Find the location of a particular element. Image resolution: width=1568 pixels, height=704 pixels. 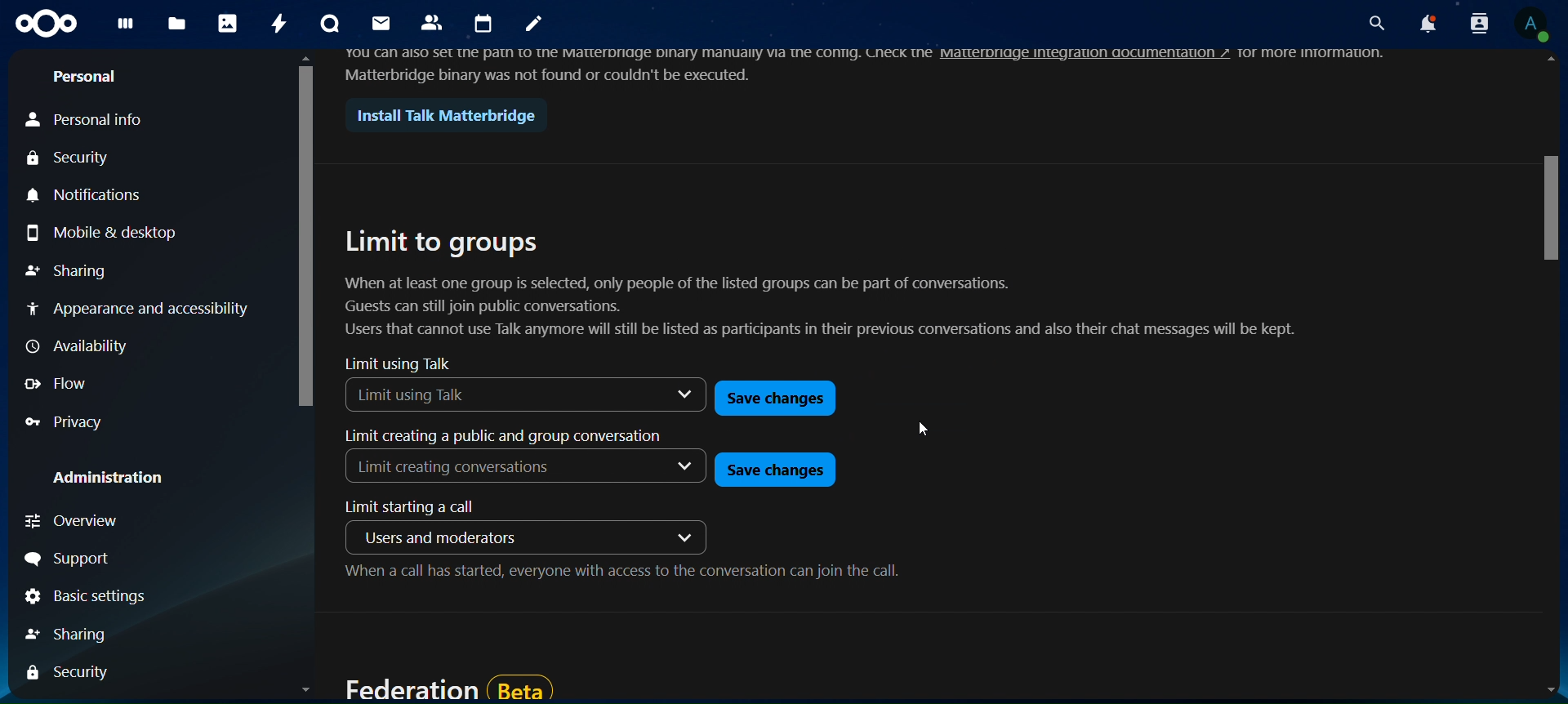

install talk matterbridge is located at coordinates (439, 116).